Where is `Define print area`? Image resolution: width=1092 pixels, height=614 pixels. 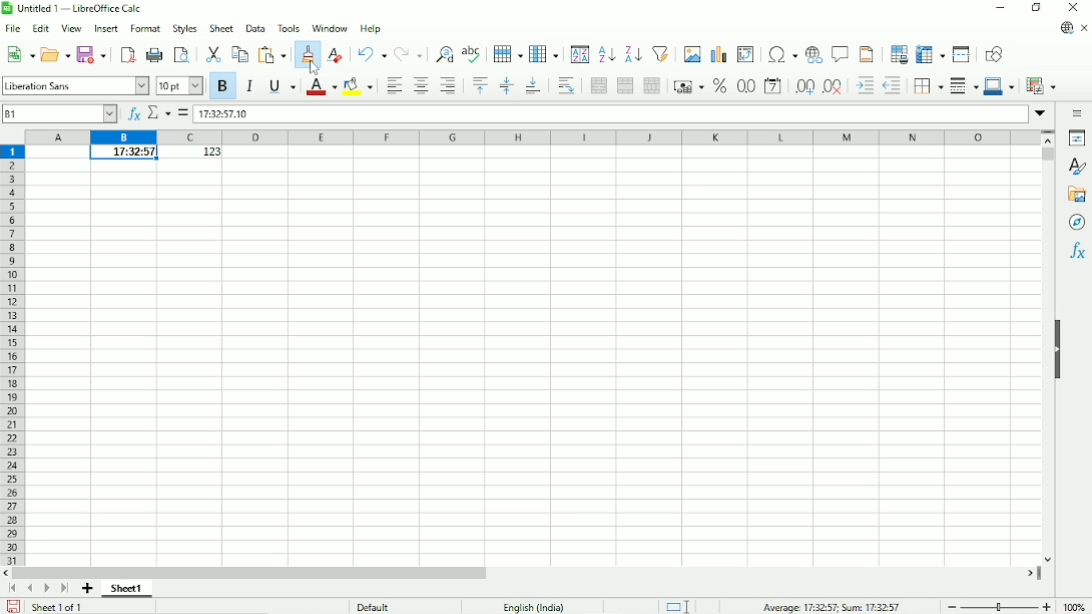 Define print area is located at coordinates (897, 55).